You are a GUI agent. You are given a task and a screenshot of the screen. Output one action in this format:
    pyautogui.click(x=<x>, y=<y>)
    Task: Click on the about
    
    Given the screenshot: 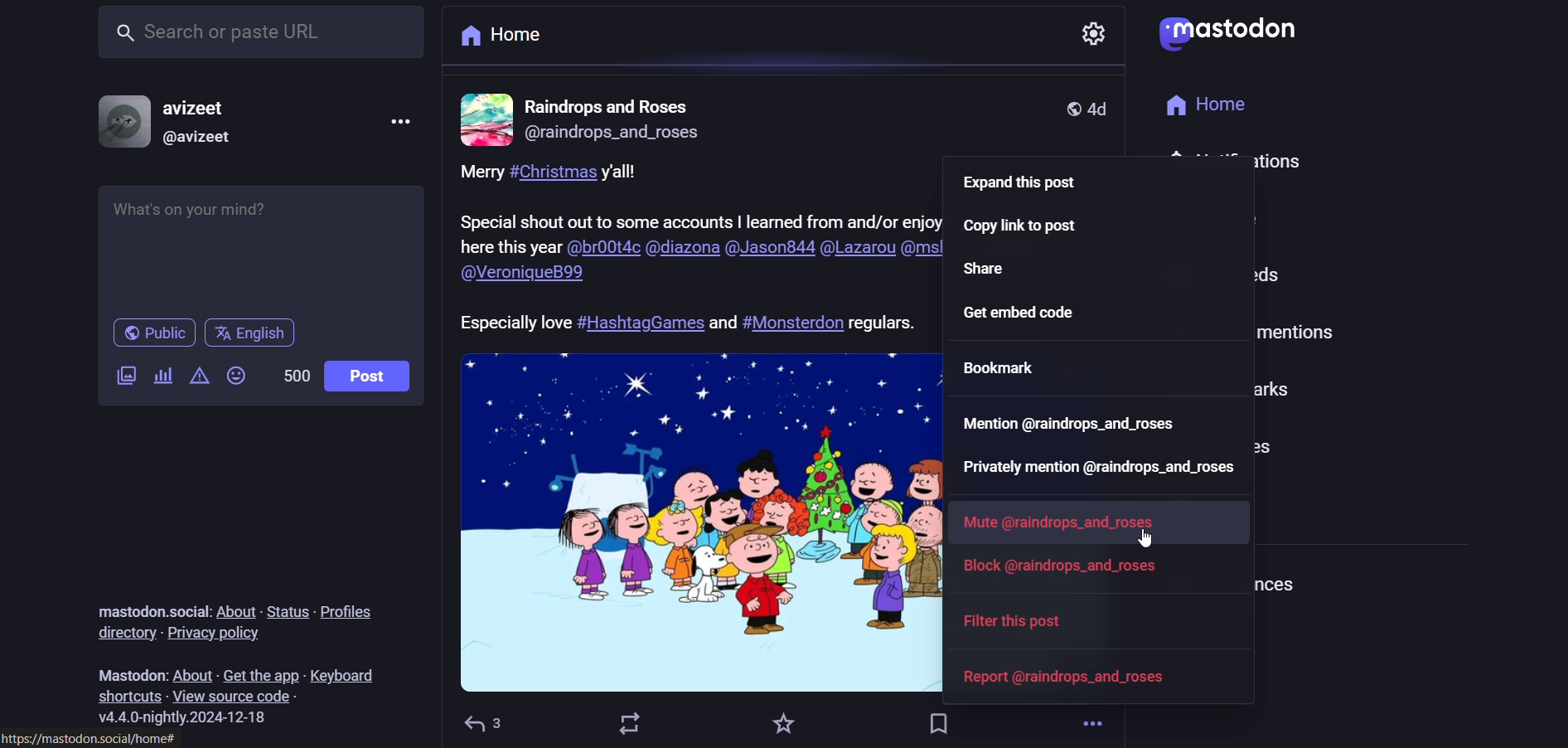 What is the action you would take?
    pyautogui.click(x=235, y=606)
    